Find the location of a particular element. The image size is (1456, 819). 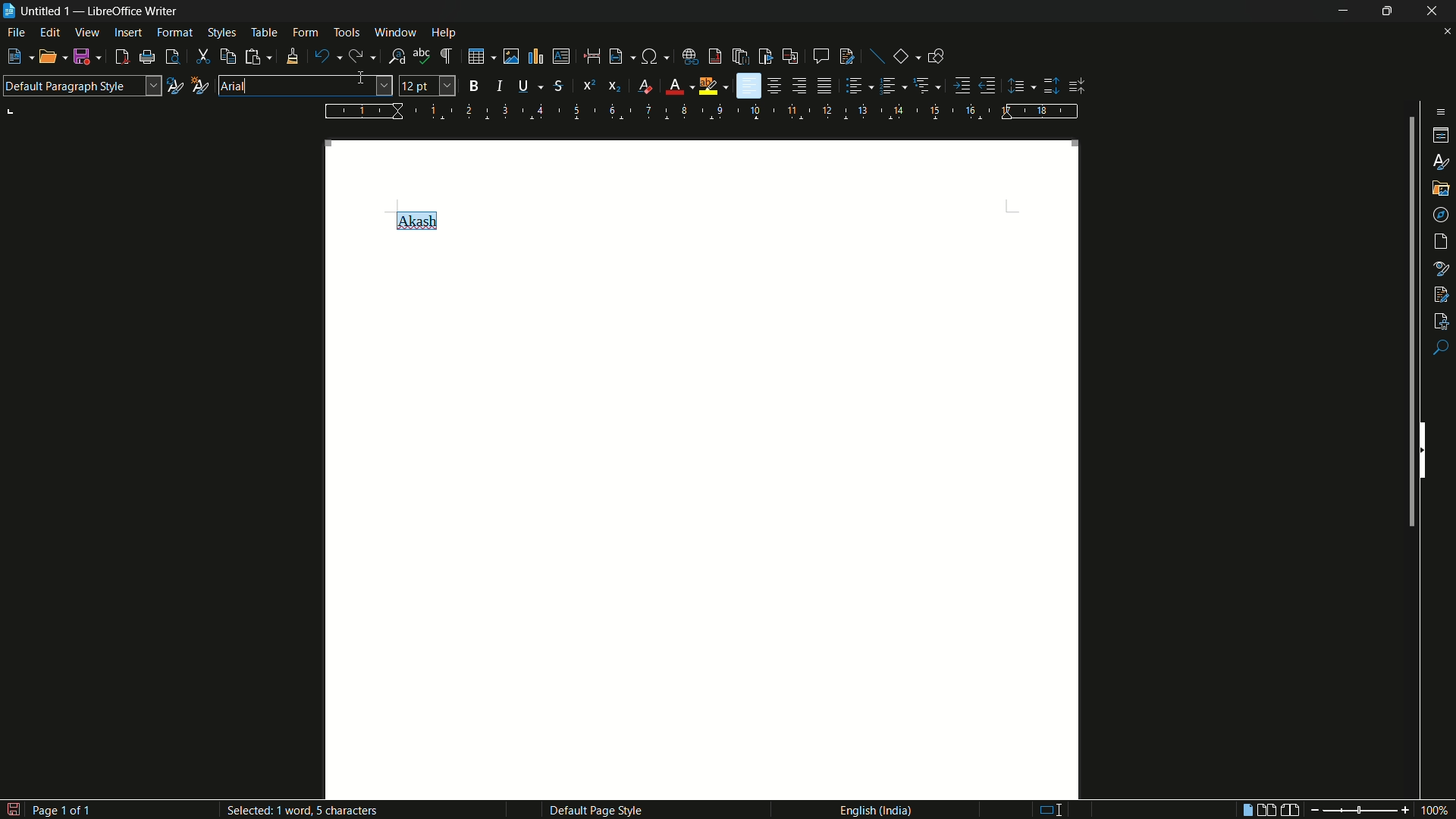

select outline format is located at coordinates (923, 85).